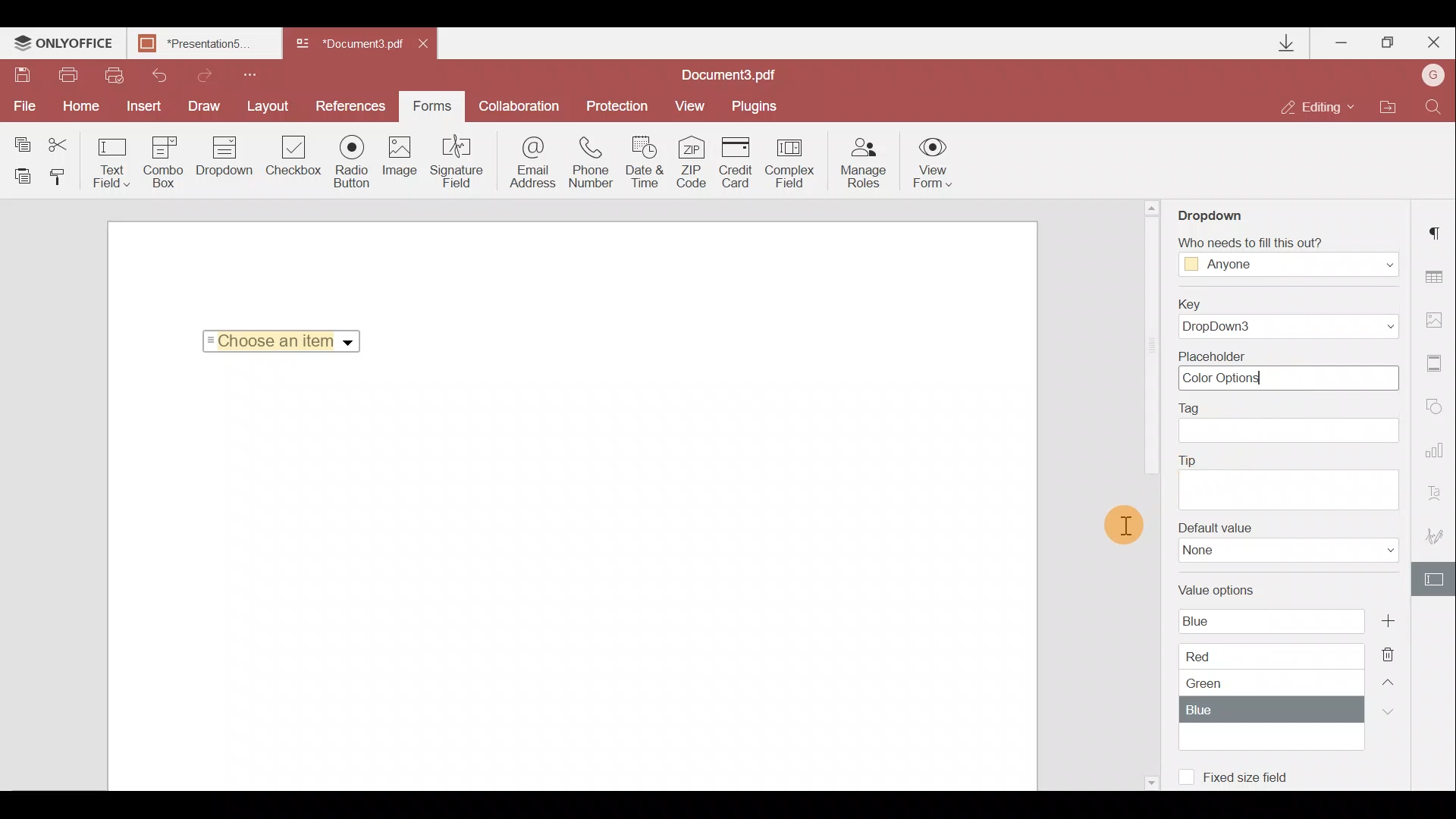  What do you see at coordinates (21, 178) in the screenshot?
I see `Paste` at bounding box center [21, 178].